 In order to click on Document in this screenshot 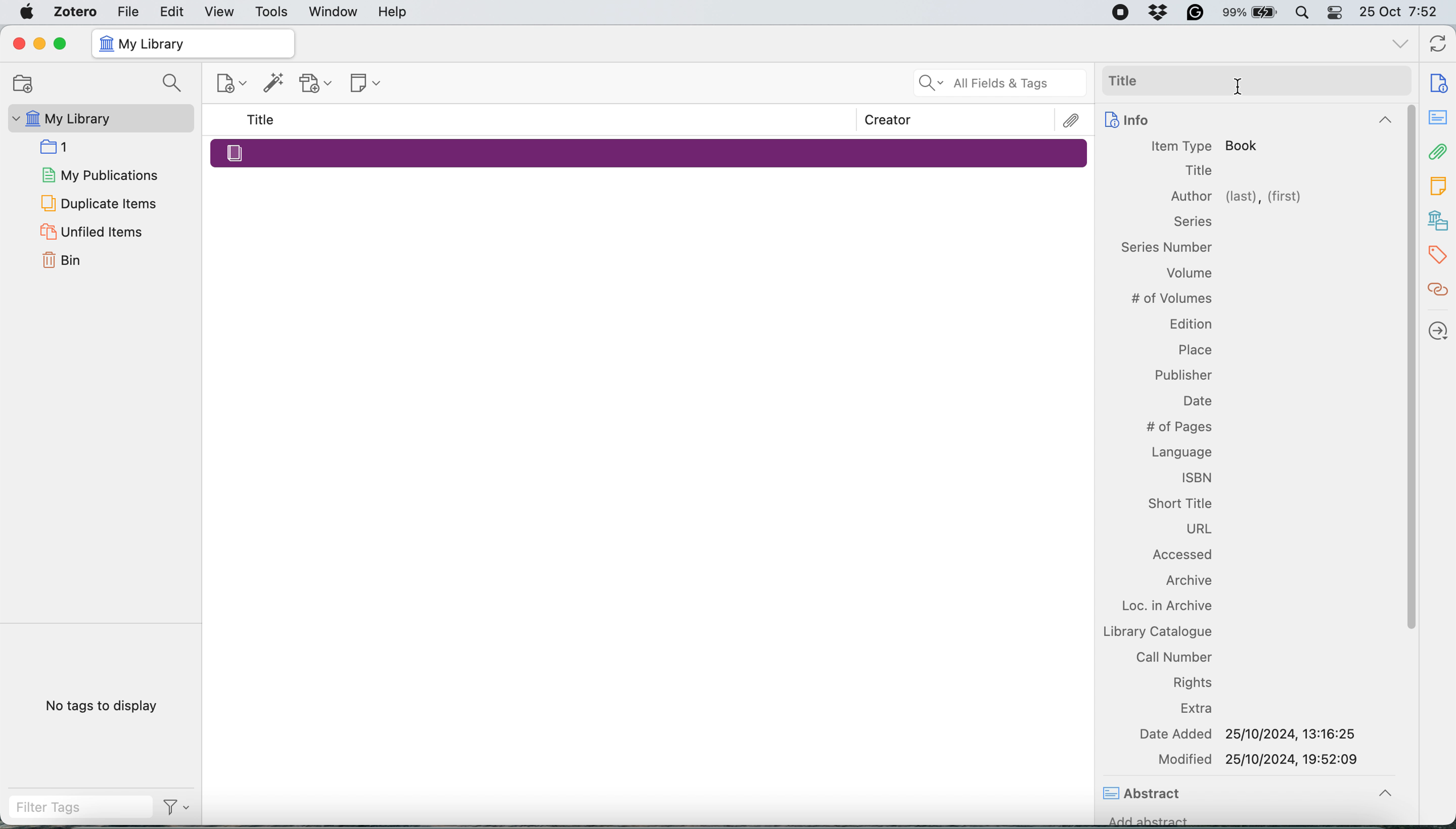, I will do `click(1439, 83)`.